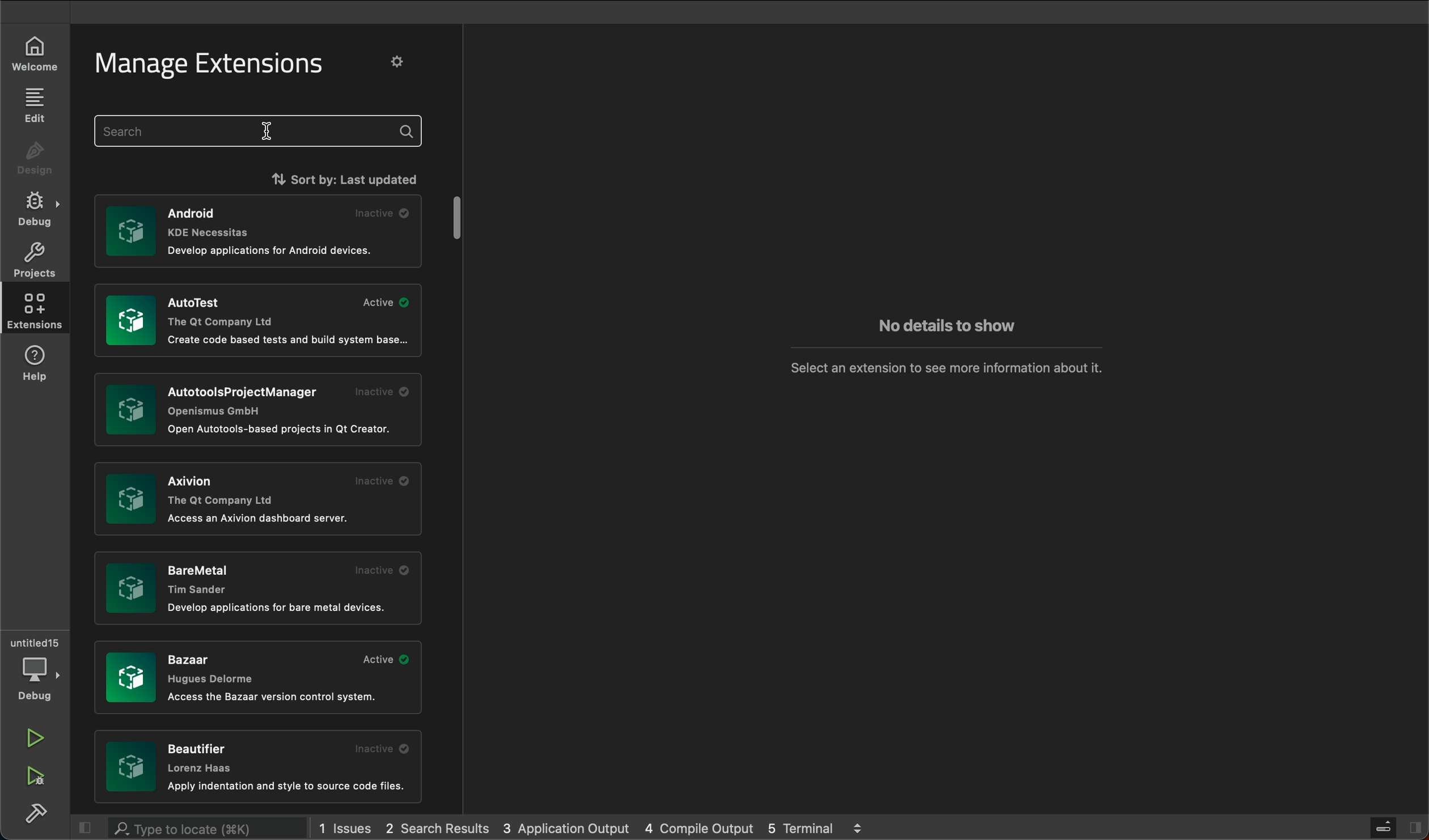 This screenshot has height=840, width=1429. Describe the element at coordinates (223, 490) in the screenshot. I see `extension text` at that location.